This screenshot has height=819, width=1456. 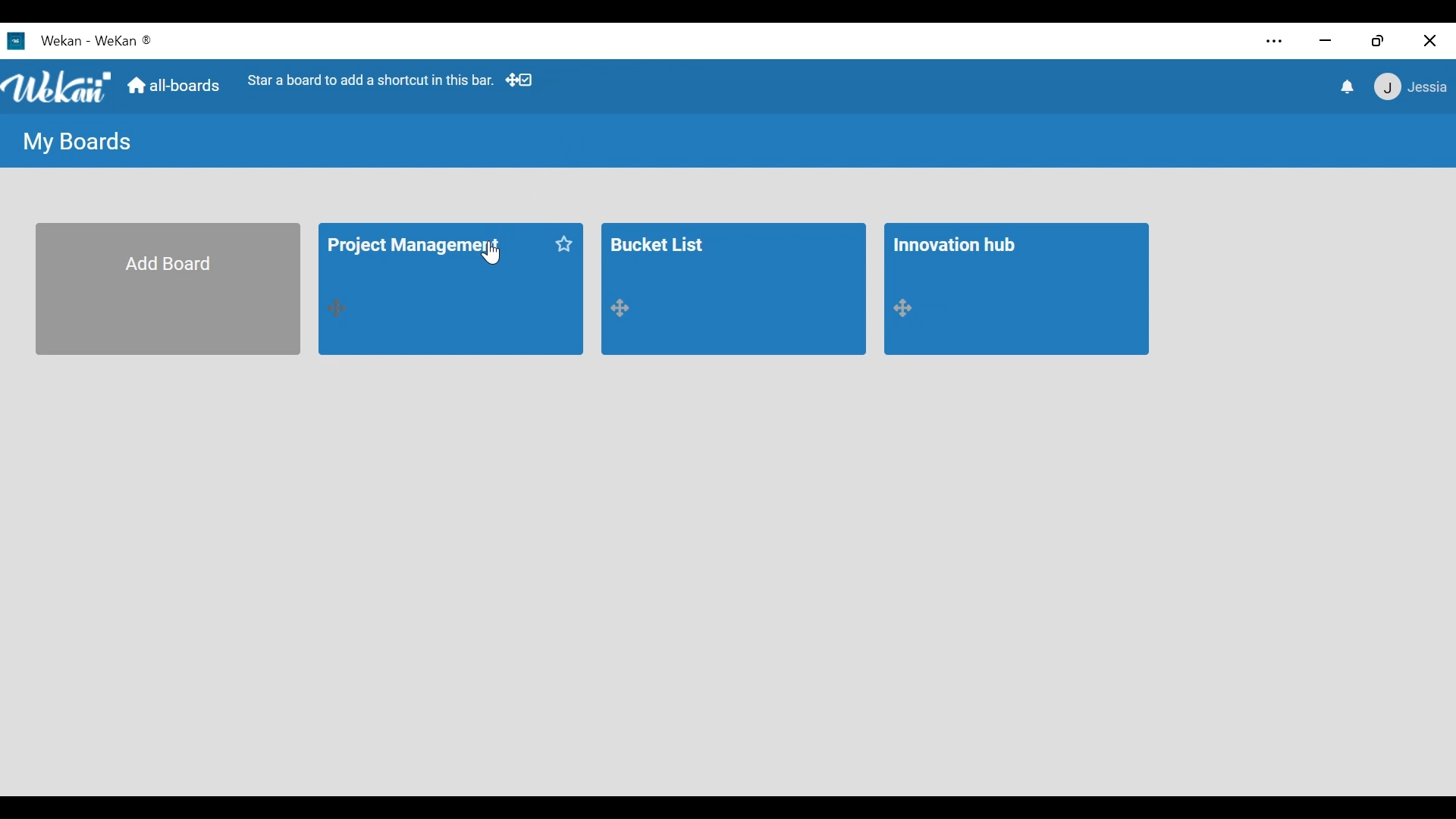 What do you see at coordinates (1345, 86) in the screenshot?
I see `notification` at bounding box center [1345, 86].